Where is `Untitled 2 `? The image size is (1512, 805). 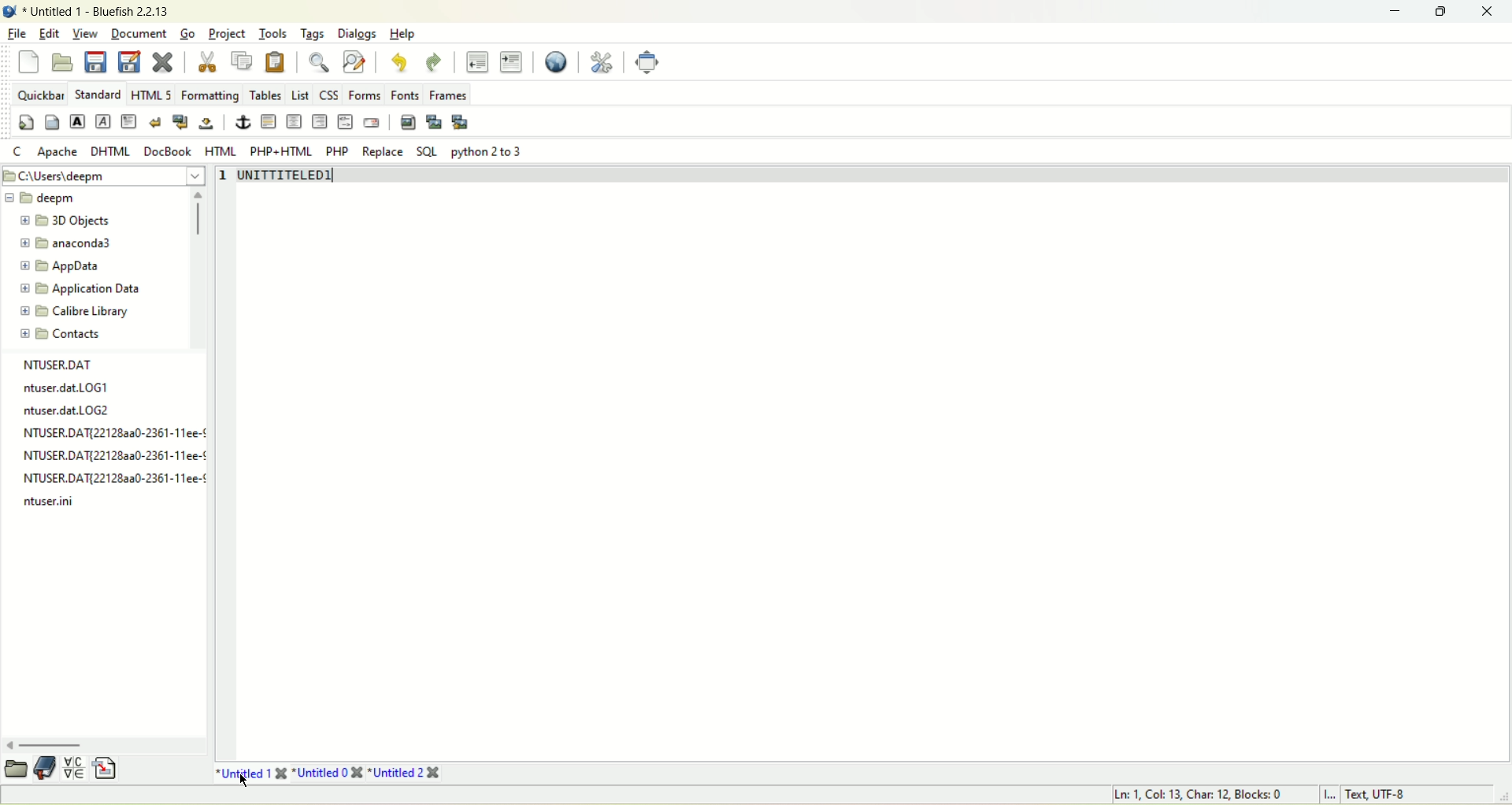 Untitled 2  is located at coordinates (407, 774).